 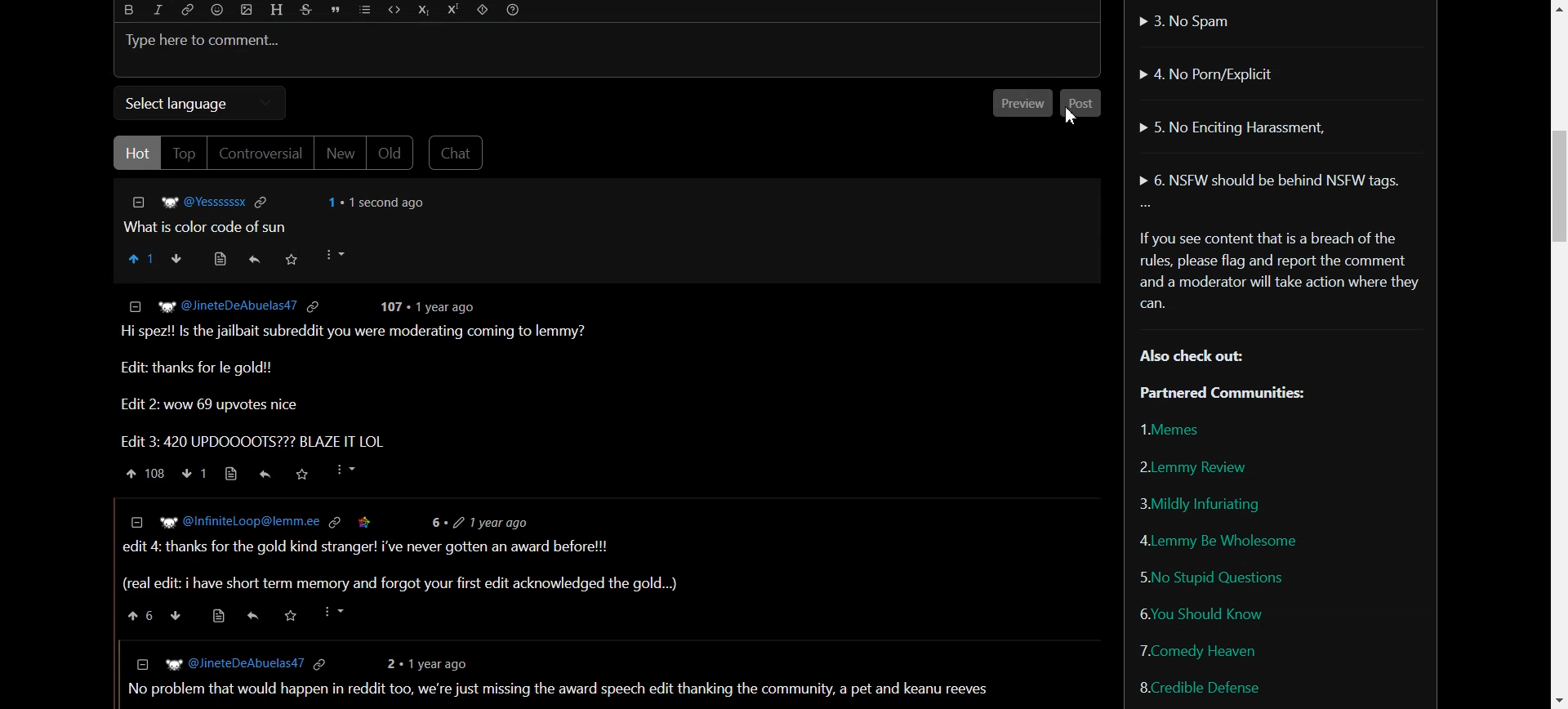 I want to click on Quote, so click(x=337, y=10).